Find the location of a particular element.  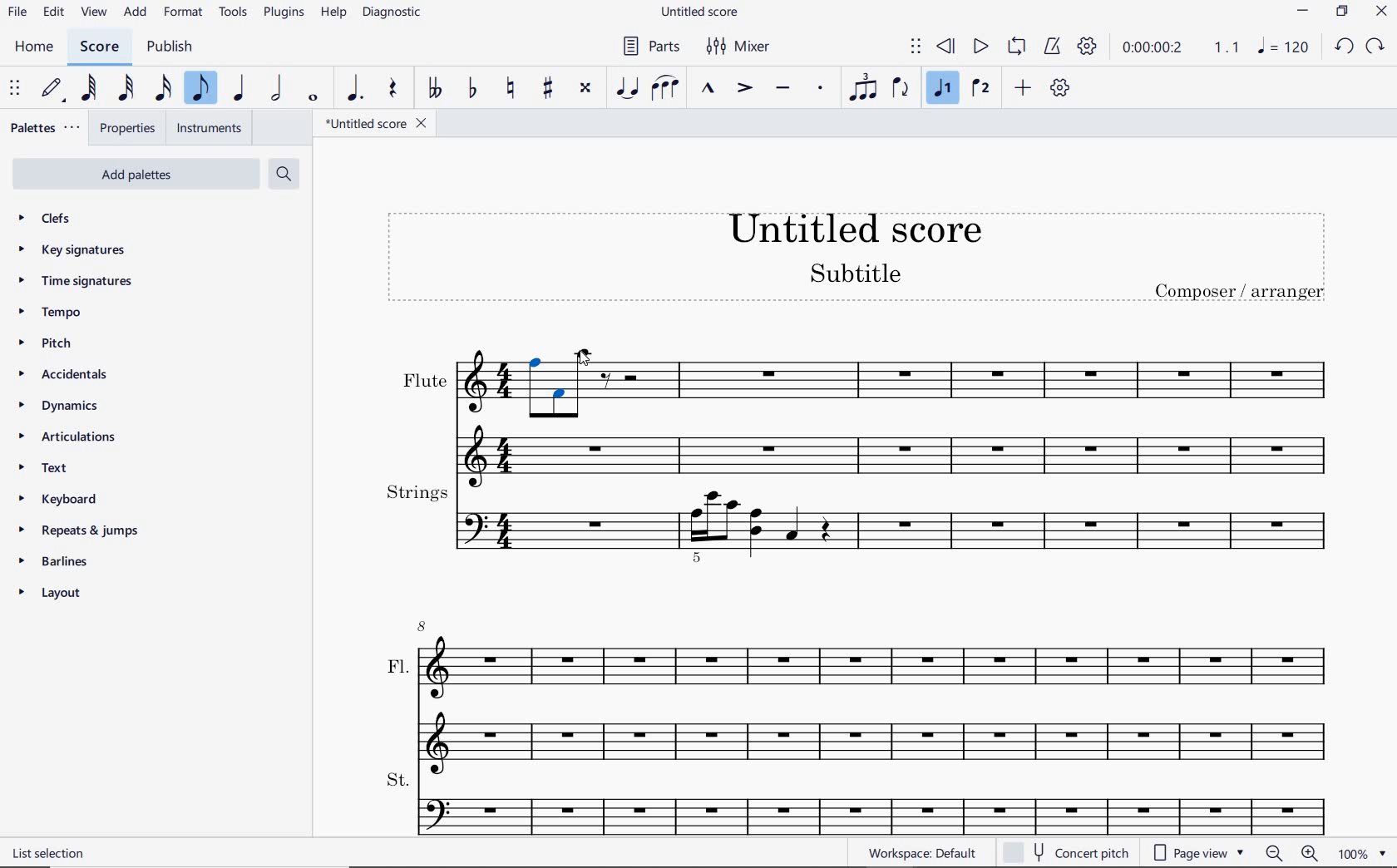

accidentals is located at coordinates (62, 376).